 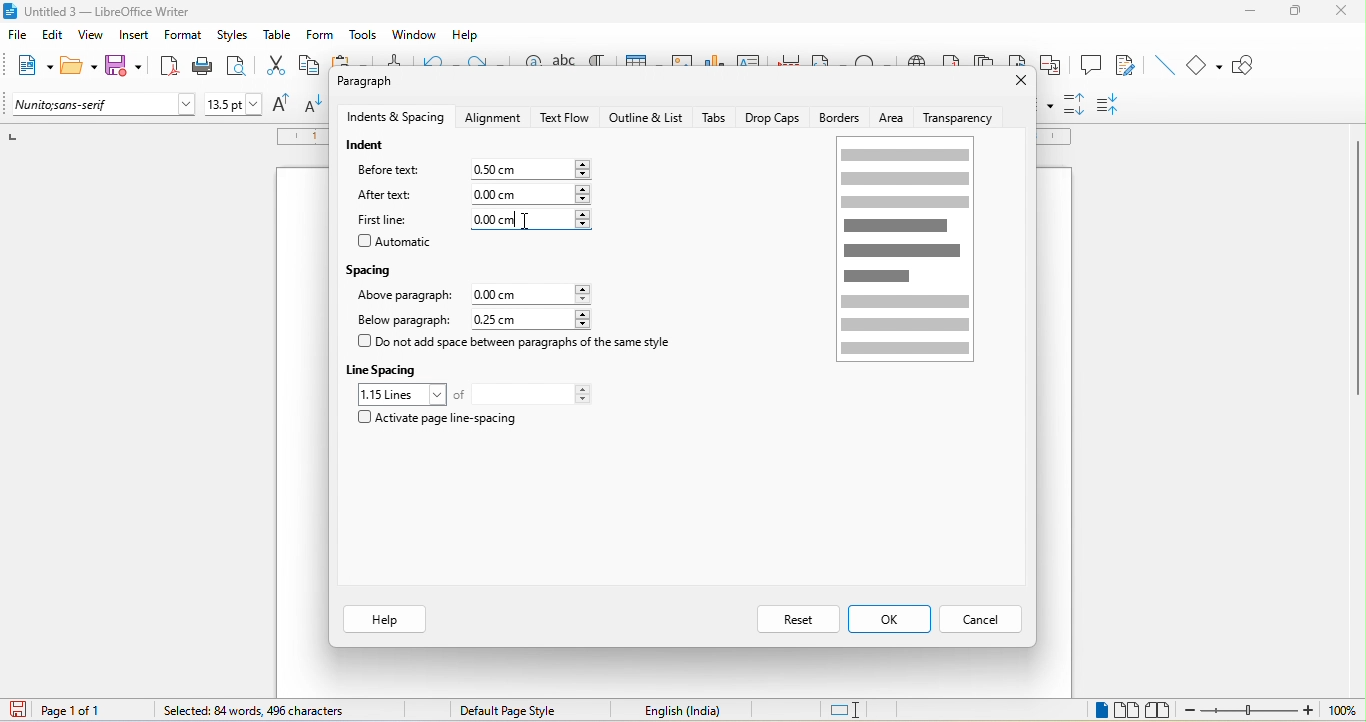 What do you see at coordinates (31, 68) in the screenshot?
I see `new` at bounding box center [31, 68].